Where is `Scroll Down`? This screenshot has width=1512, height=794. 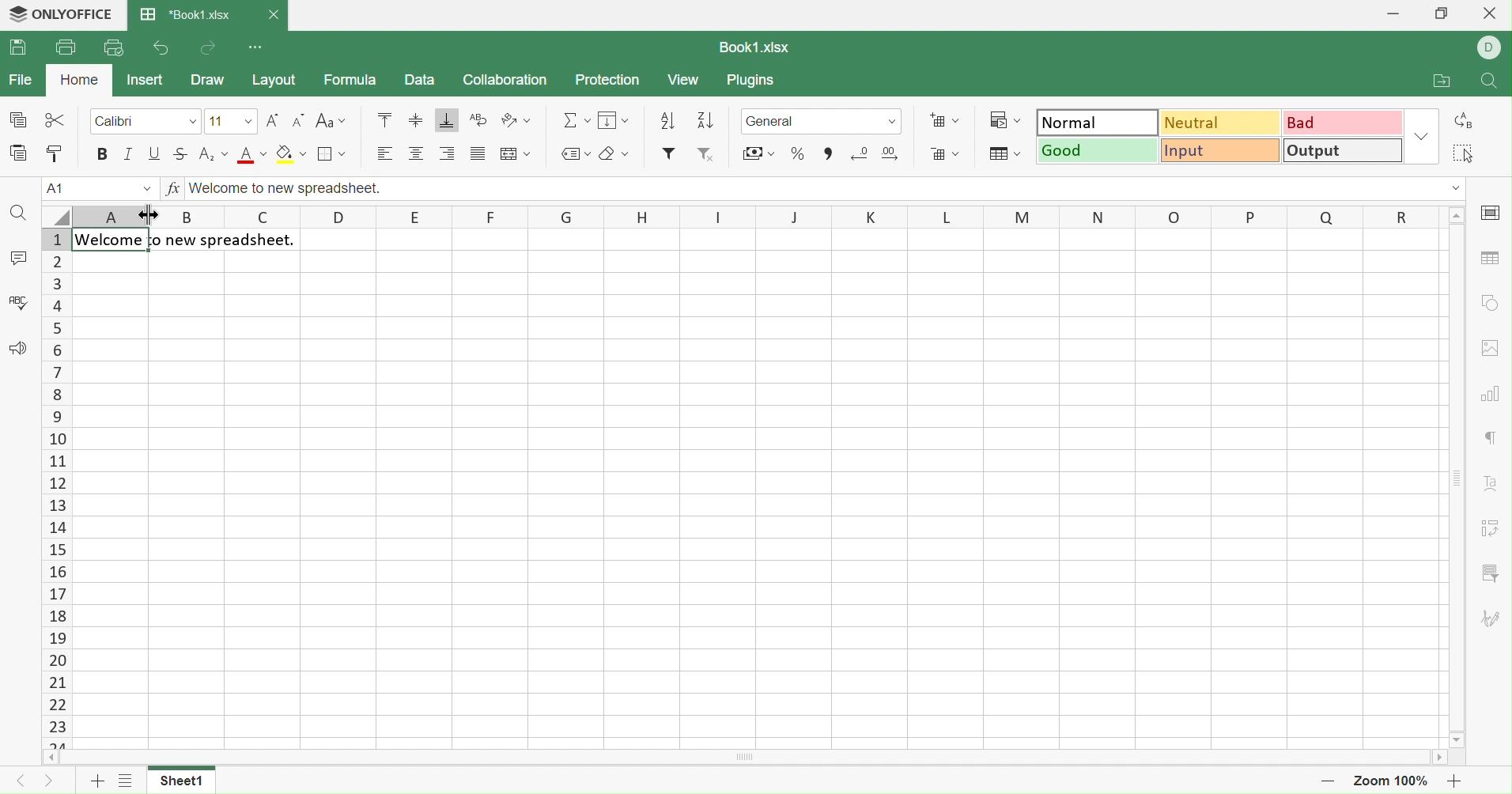 Scroll Down is located at coordinates (1458, 738).